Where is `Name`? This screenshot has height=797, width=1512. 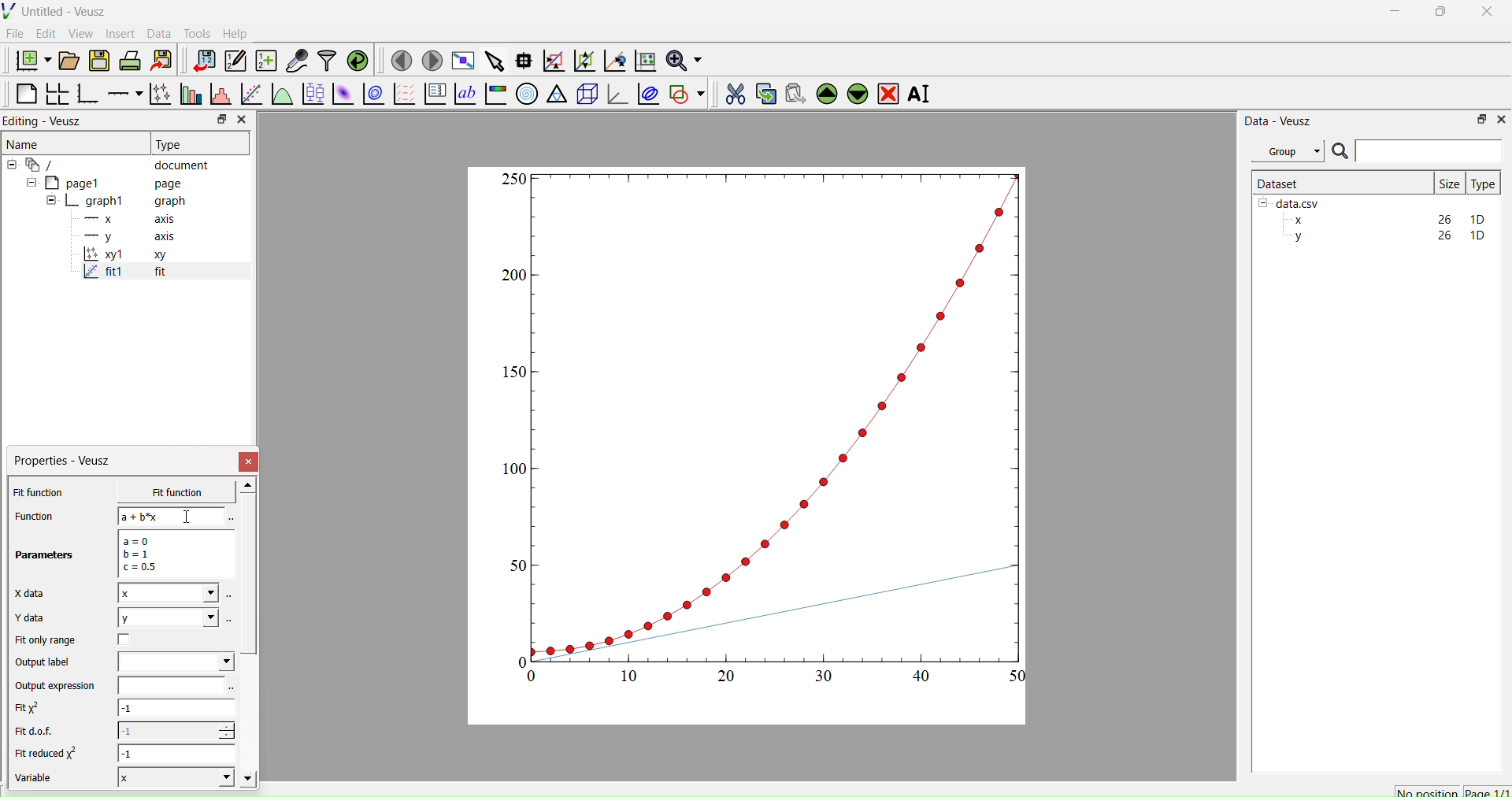
Name is located at coordinates (24, 143).